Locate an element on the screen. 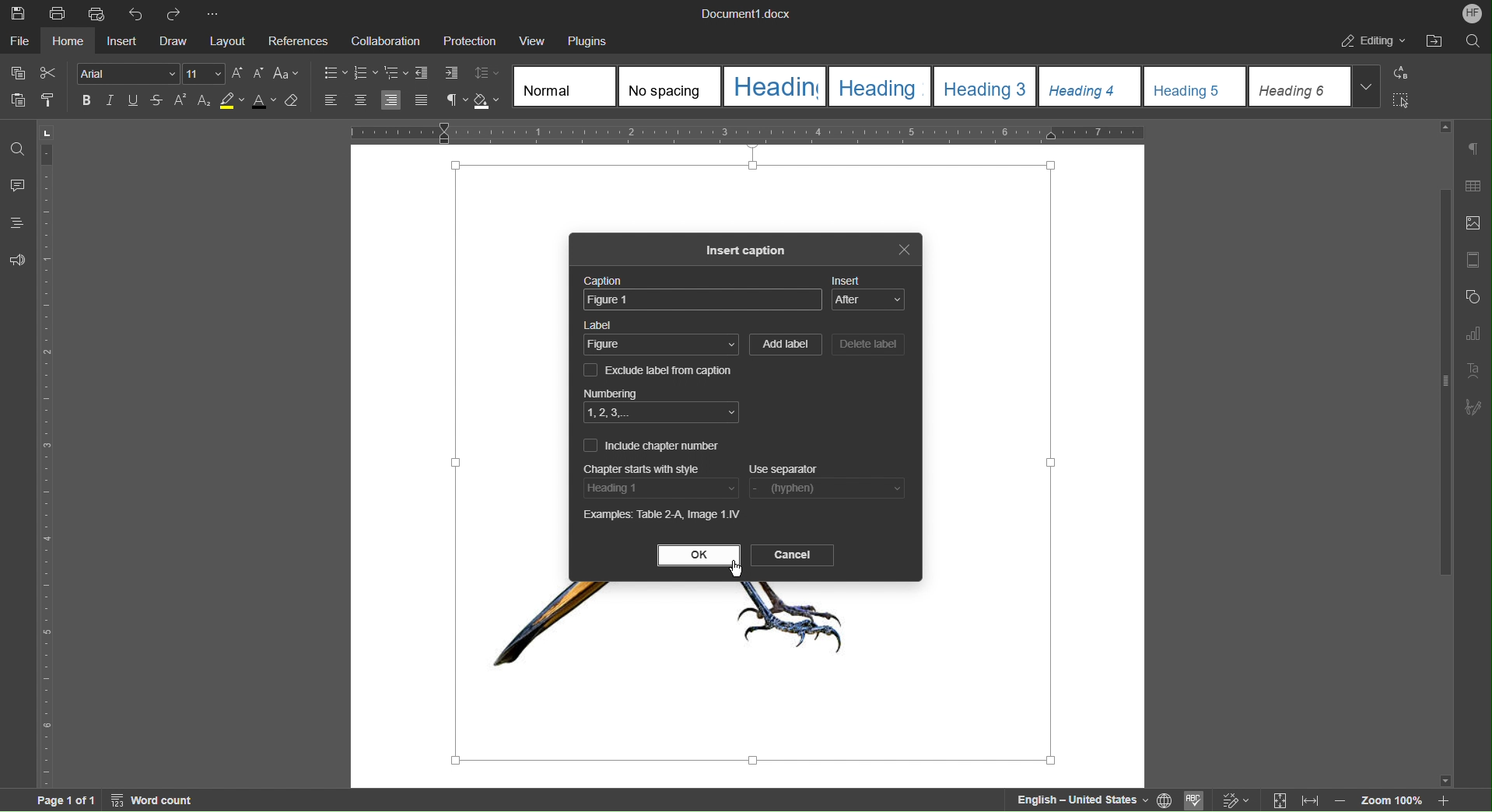  Quick Print is located at coordinates (96, 12).